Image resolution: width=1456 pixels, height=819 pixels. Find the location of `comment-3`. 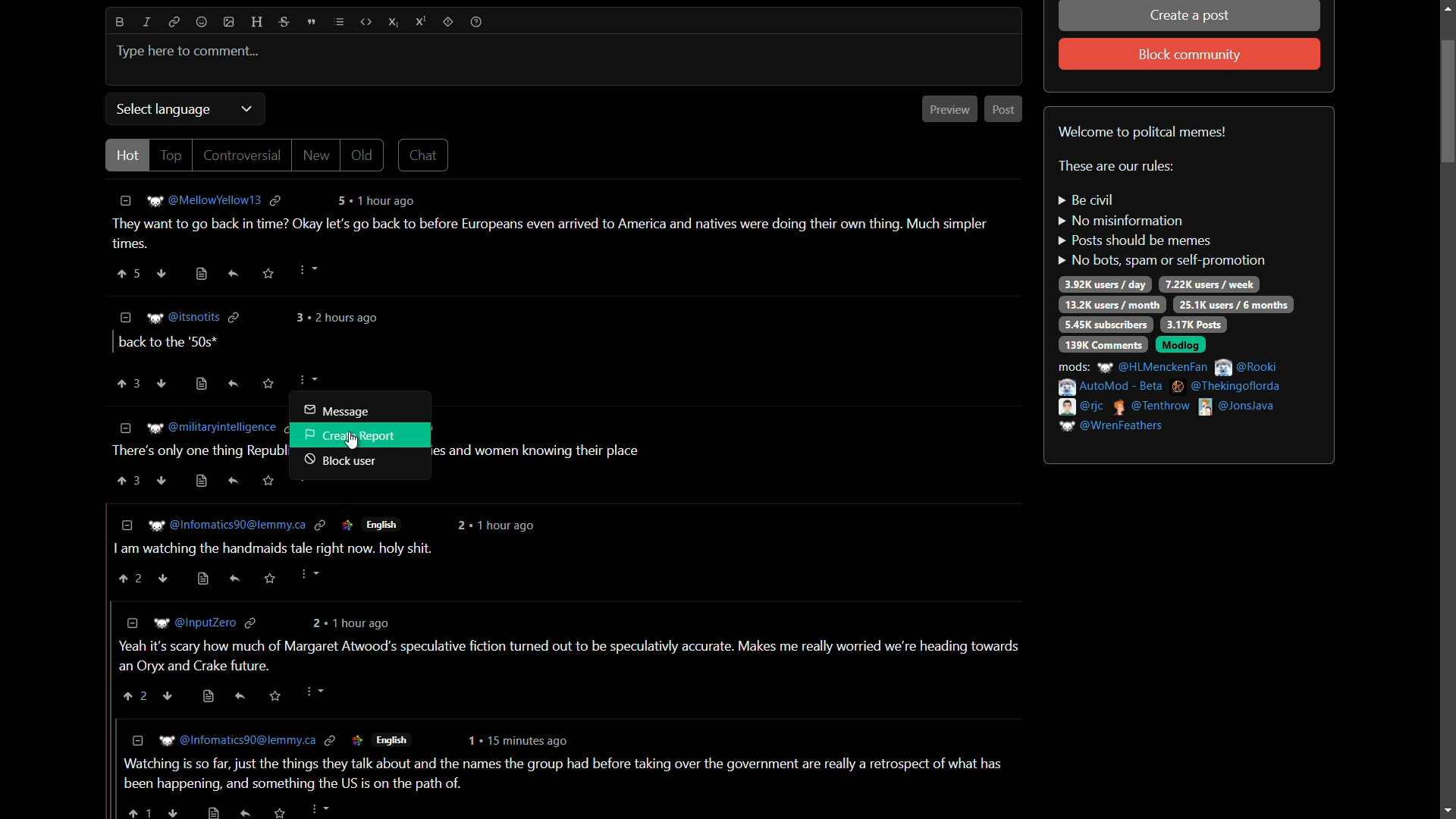

comment-3 is located at coordinates (193, 458).